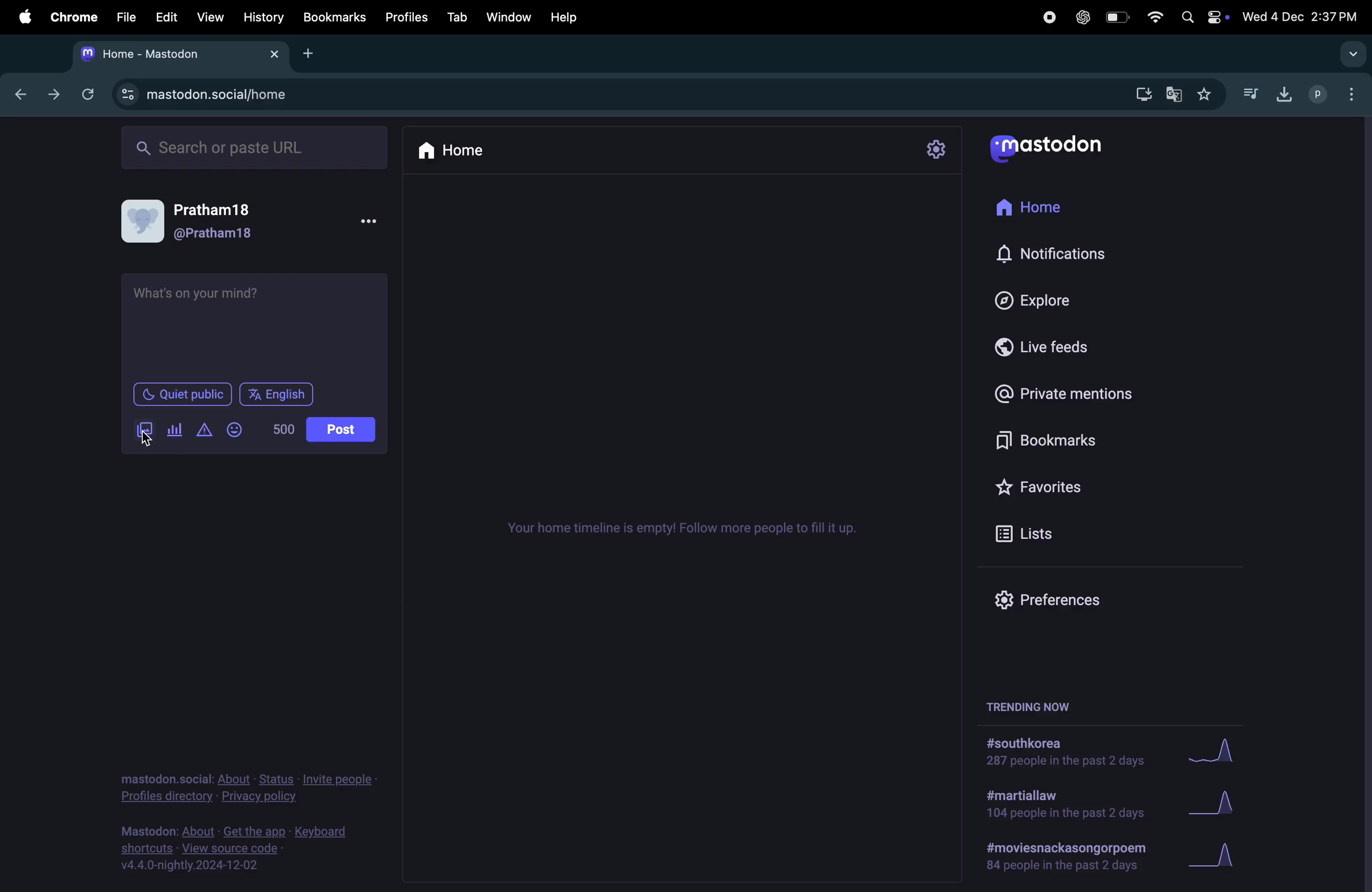 Image resolution: width=1372 pixels, height=892 pixels. What do you see at coordinates (1139, 93) in the screenshot?
I see `download mastodon` at bounding box center [1139, 93].